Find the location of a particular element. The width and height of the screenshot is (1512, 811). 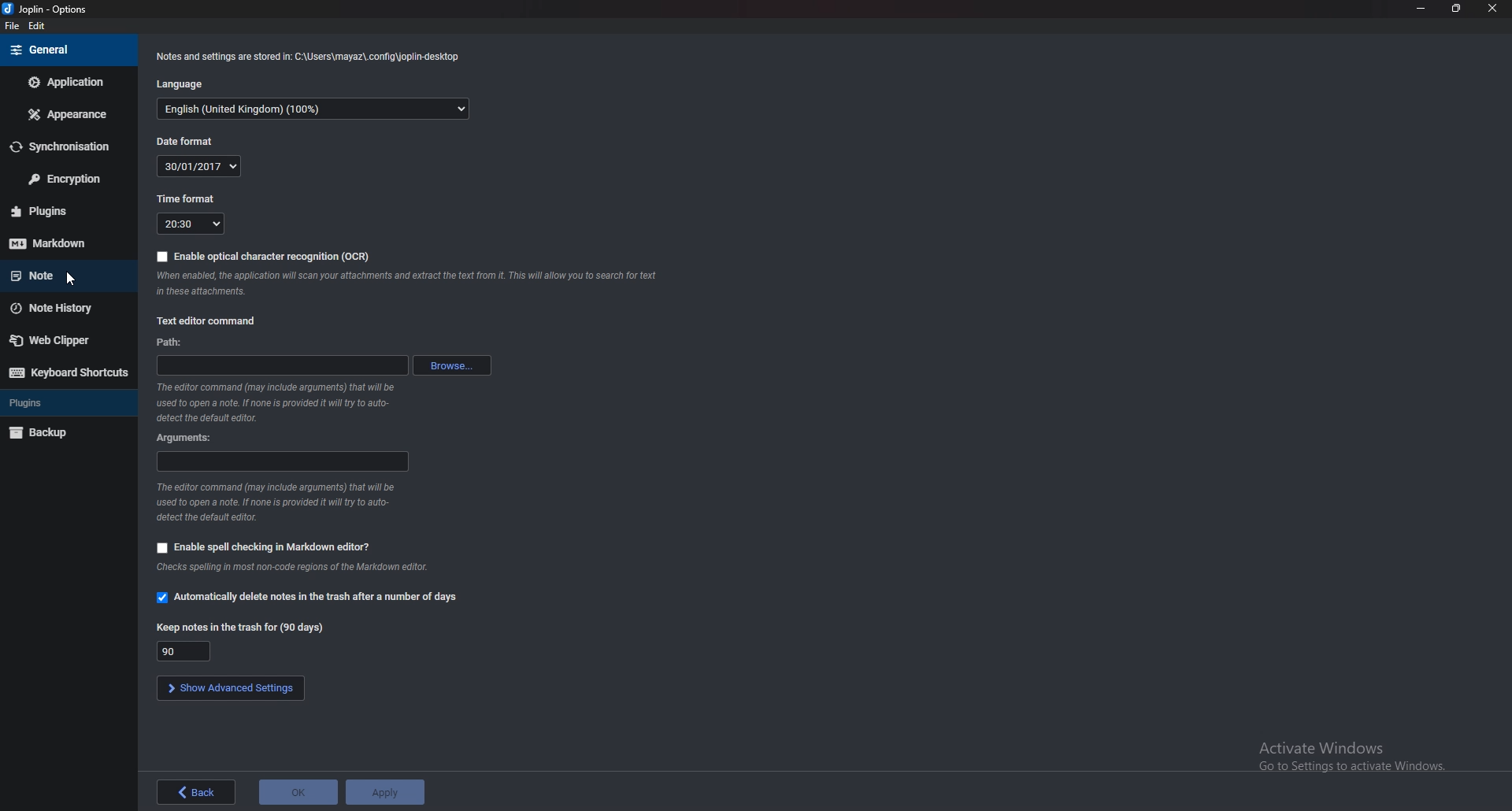

Language is located at coordinates (184, 83).